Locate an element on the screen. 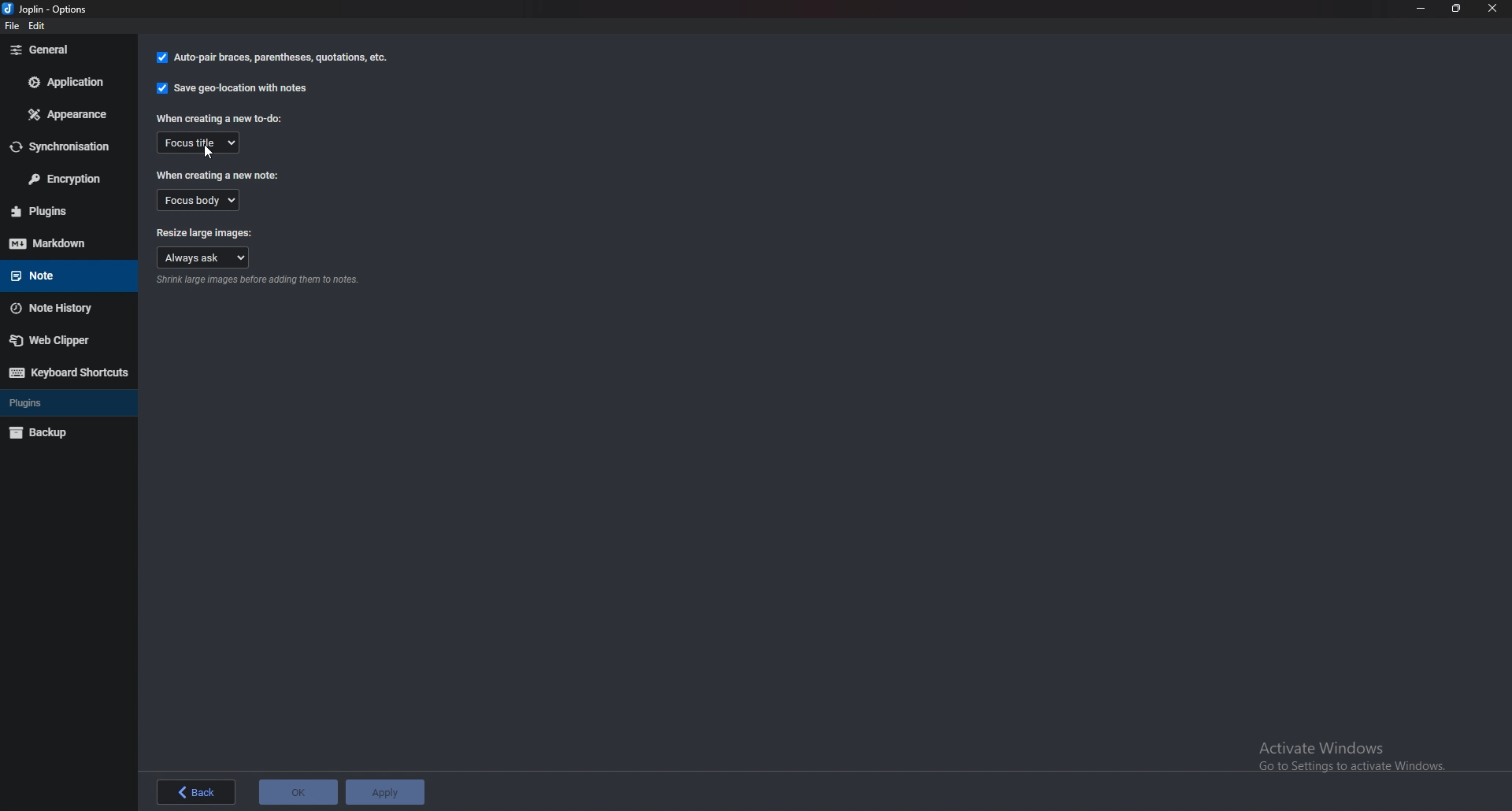 Image resolution: width=1512 pixels, height=811 pixels. When creating a new note is located at coordinates (219, 174).